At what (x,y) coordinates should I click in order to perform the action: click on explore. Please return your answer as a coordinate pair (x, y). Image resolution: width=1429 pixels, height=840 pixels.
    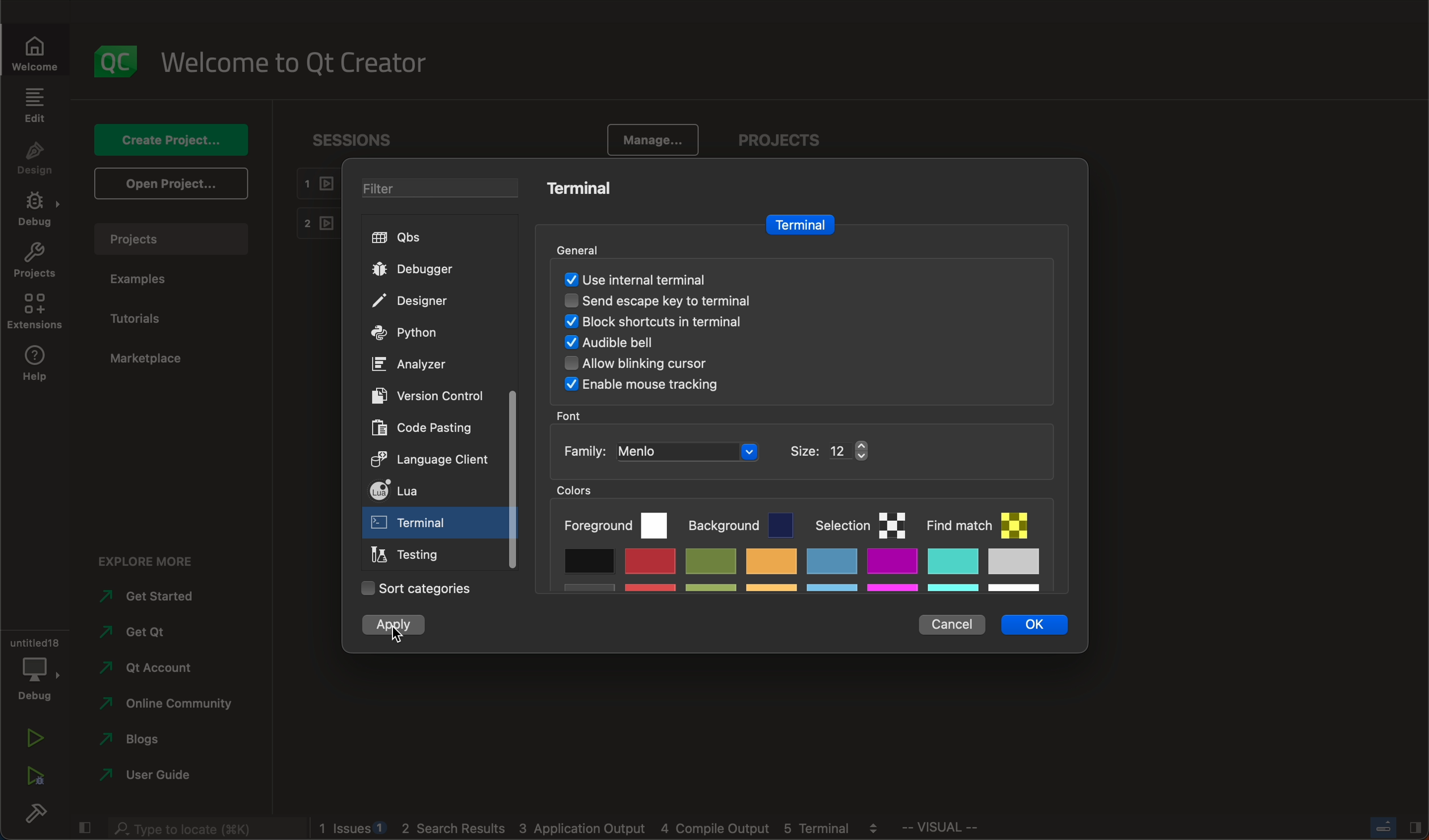
    Looking at the image, I should click on (146, 557).